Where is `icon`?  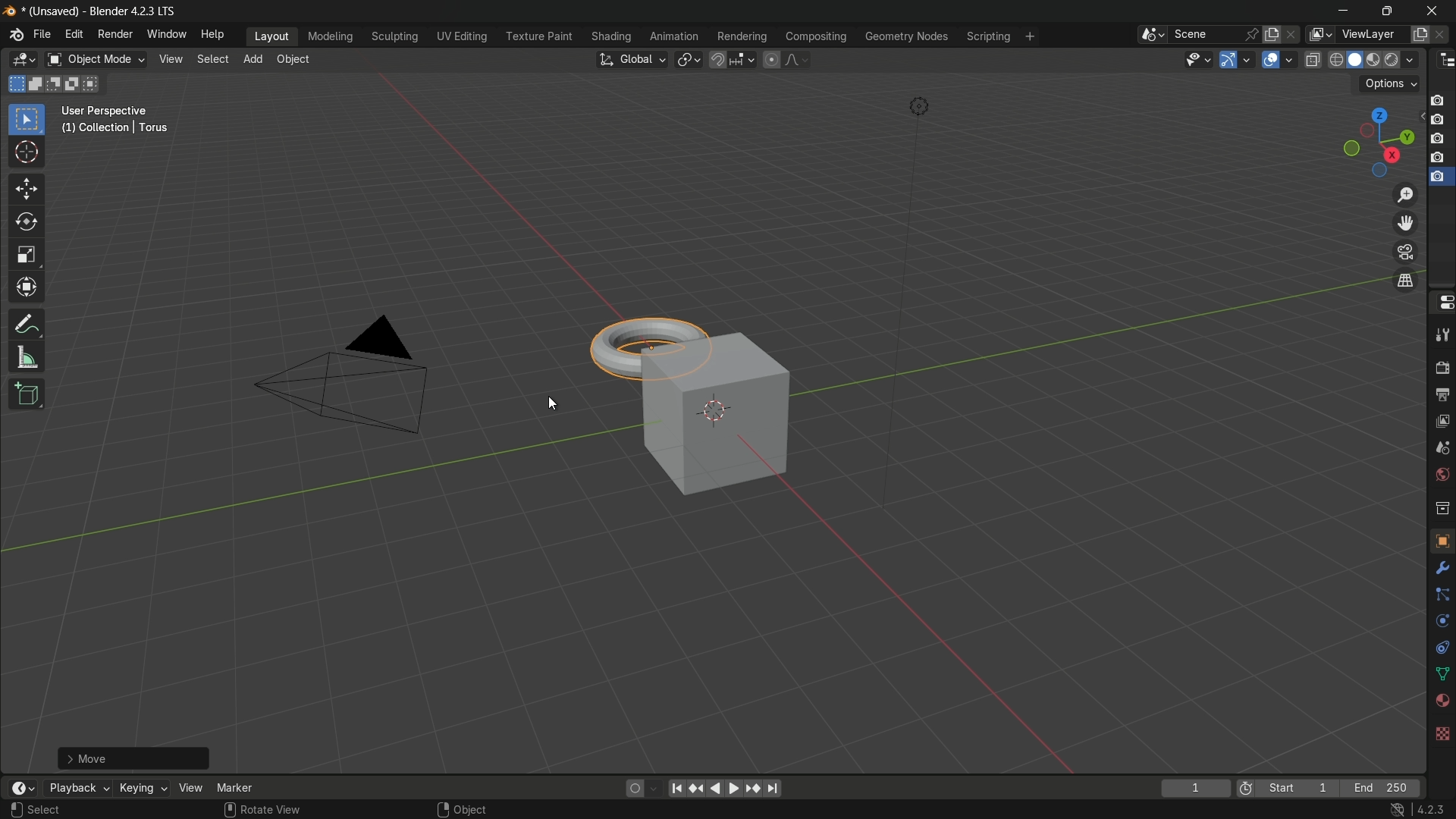 icon is located at coordinates (1246, 790).